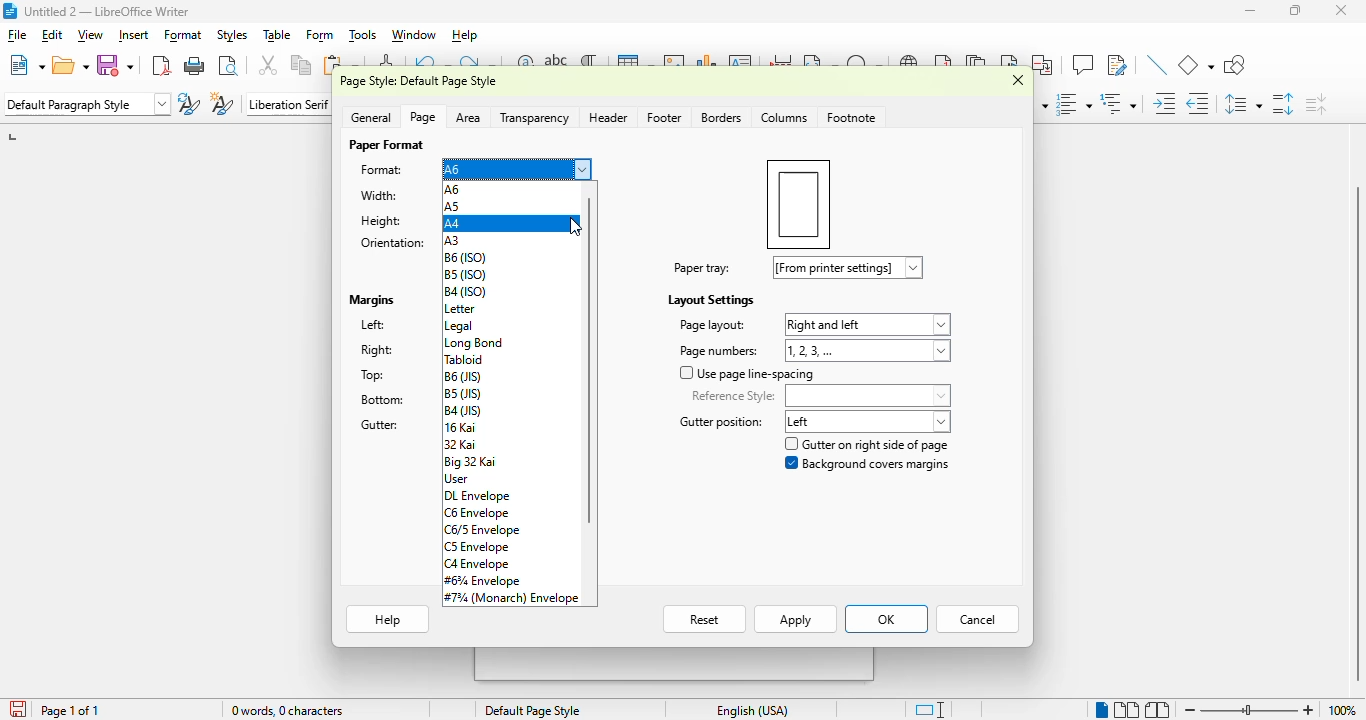 The width and height of the screenshot is (1366, 720). Describe the element at coordinates (458, 224) in the screenshot. I see `A4` at that location.